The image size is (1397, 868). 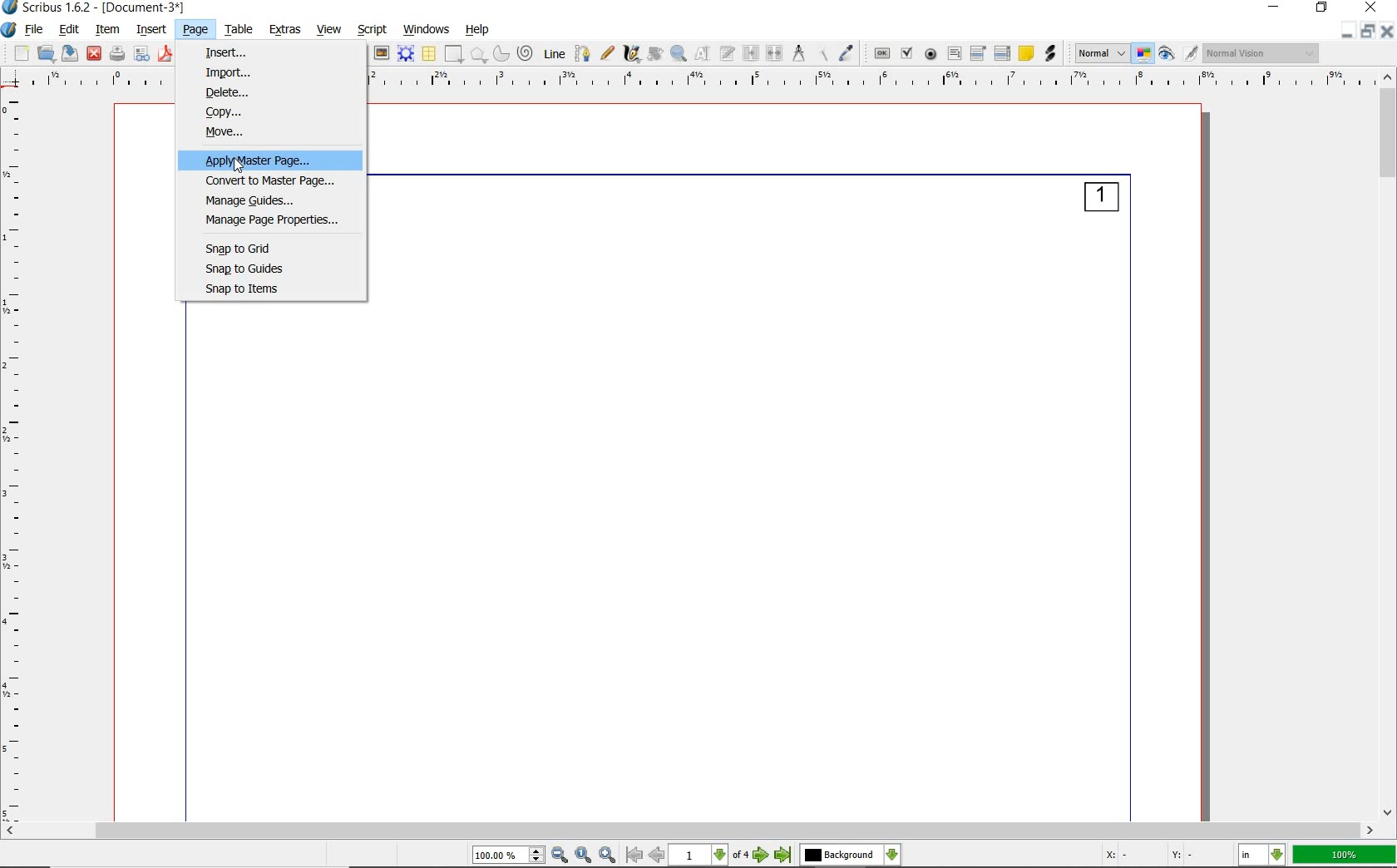 What do you see at coordinates (1263, 52) in the screenshot?
I see `visual appearance of the display` at bounding box center [1263, 52].